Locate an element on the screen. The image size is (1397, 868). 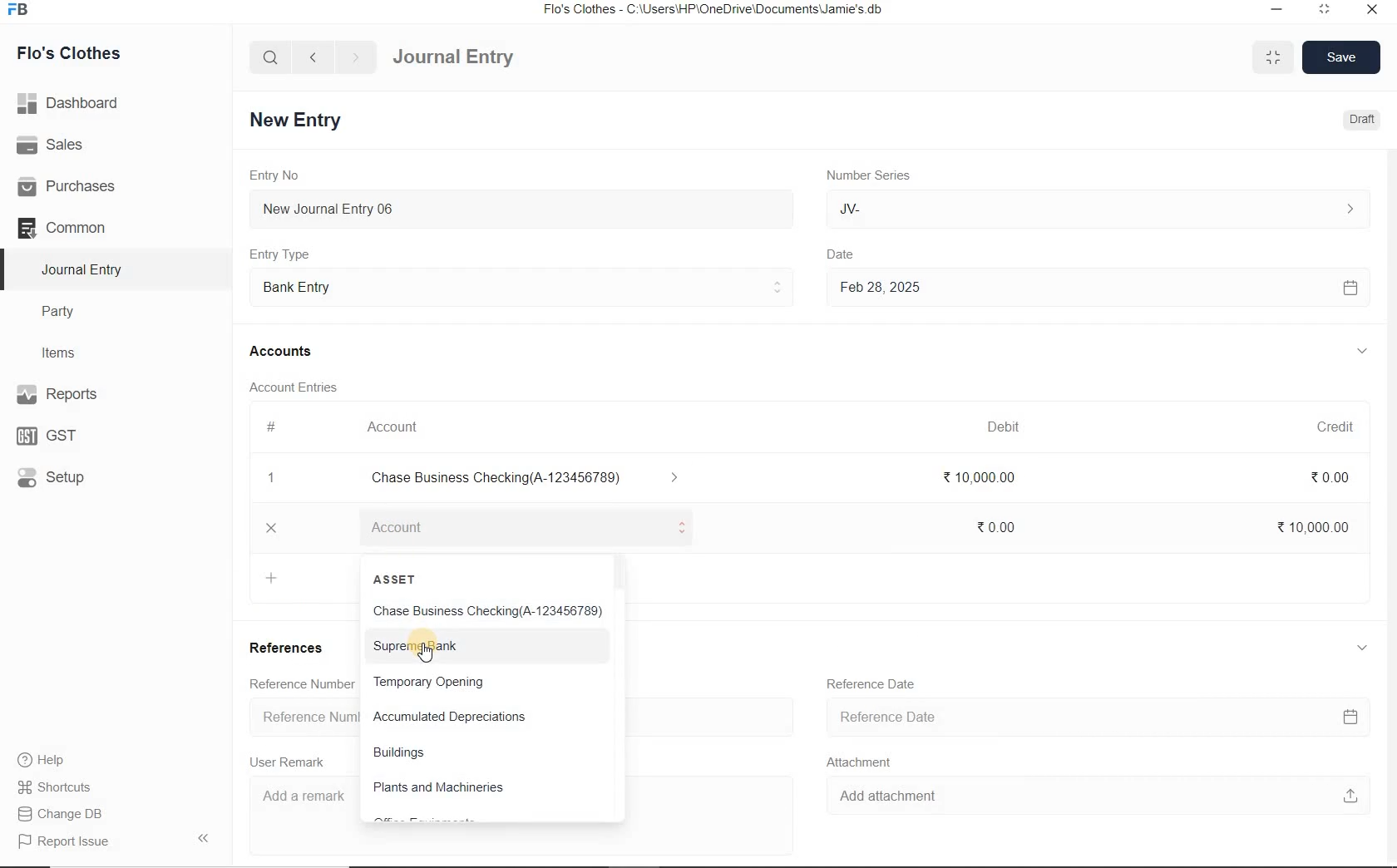
cursor is located at coordinates (425, 655).